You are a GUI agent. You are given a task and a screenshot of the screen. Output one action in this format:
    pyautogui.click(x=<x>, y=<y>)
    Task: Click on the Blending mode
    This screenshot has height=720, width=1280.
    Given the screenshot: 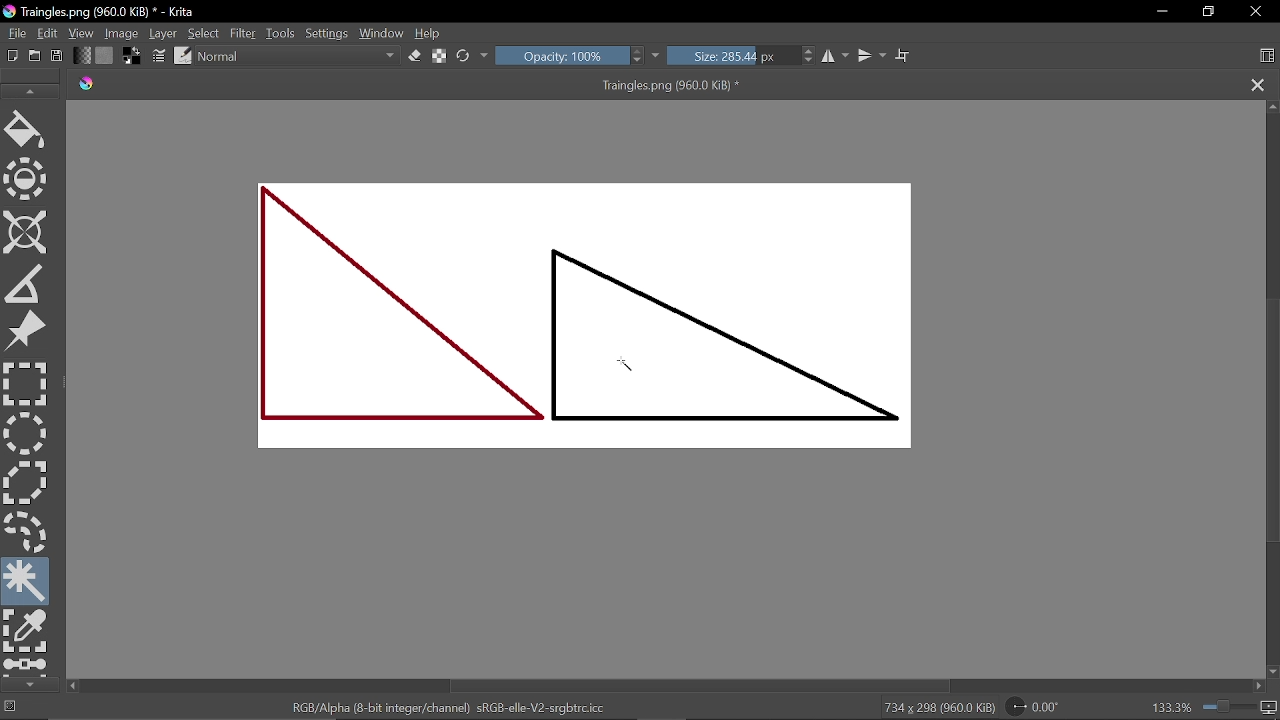 What is the action you would take?
    pyautogui.click(x=298, y=56)
    